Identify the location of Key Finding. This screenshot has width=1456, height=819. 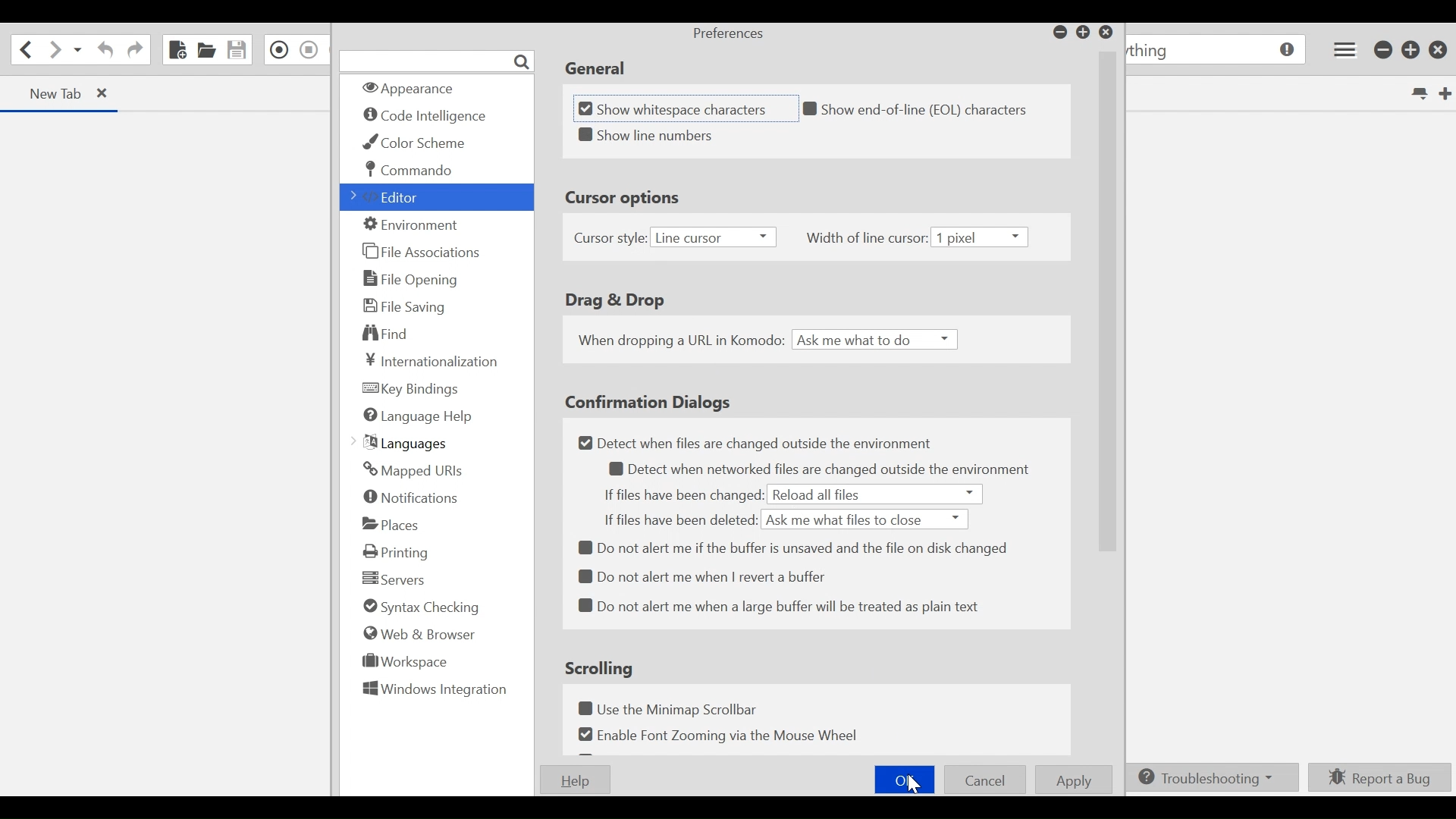
(415, 389).